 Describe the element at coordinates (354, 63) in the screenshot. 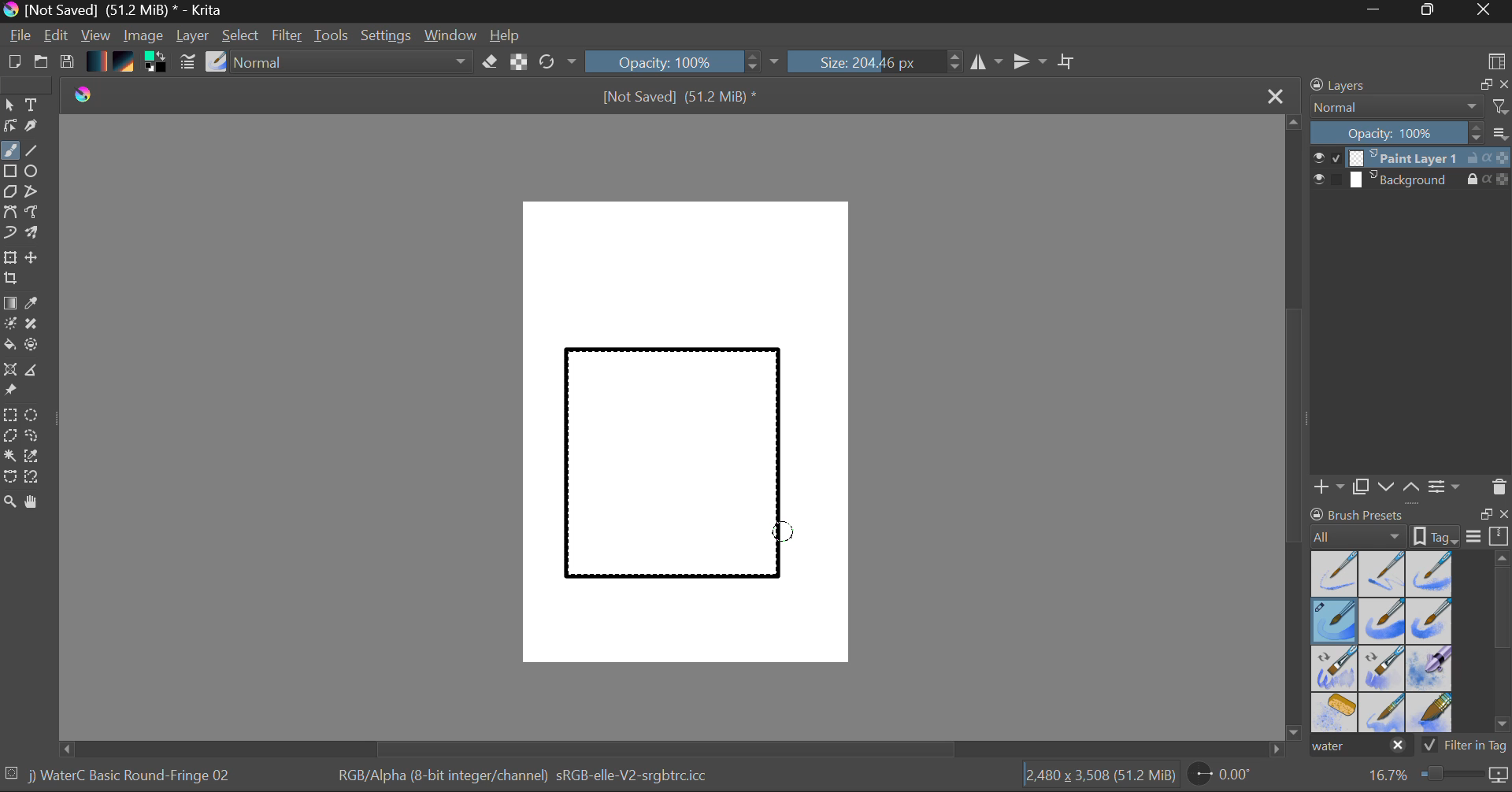

I see `Blending Tool` at that location.